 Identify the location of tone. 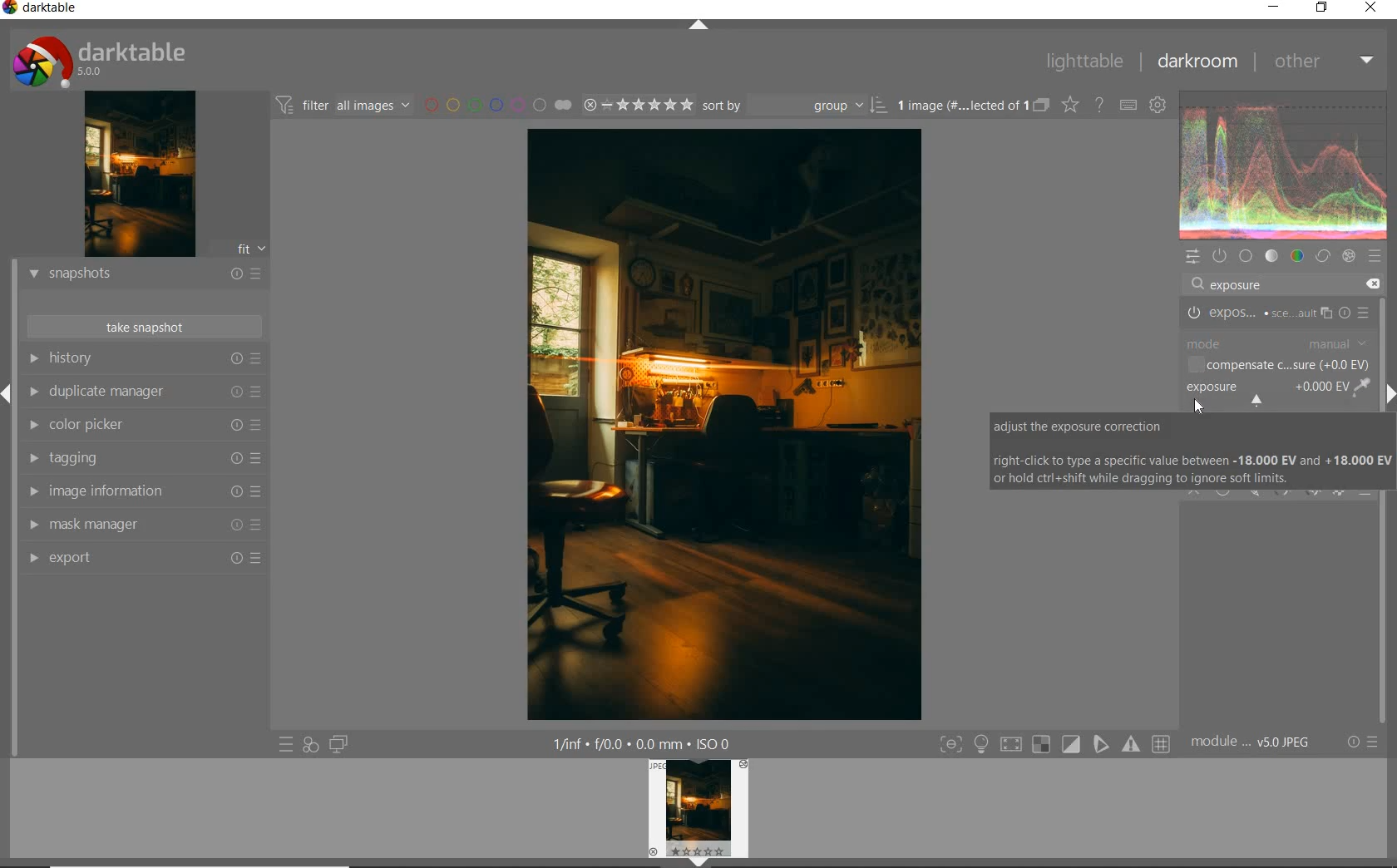
(1271, 255).